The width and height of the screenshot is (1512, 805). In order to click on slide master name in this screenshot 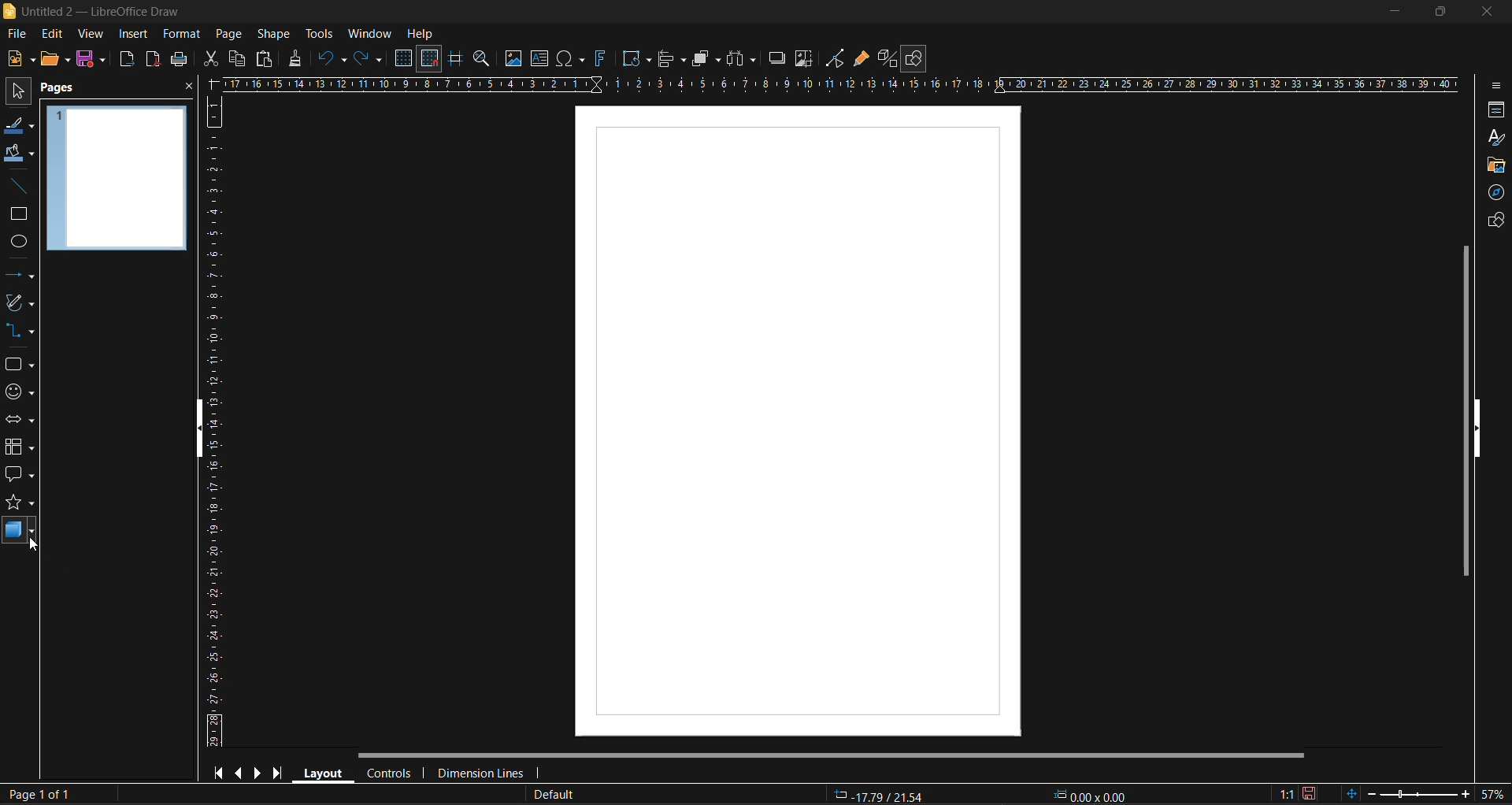, I will do `click(555, 795)`.